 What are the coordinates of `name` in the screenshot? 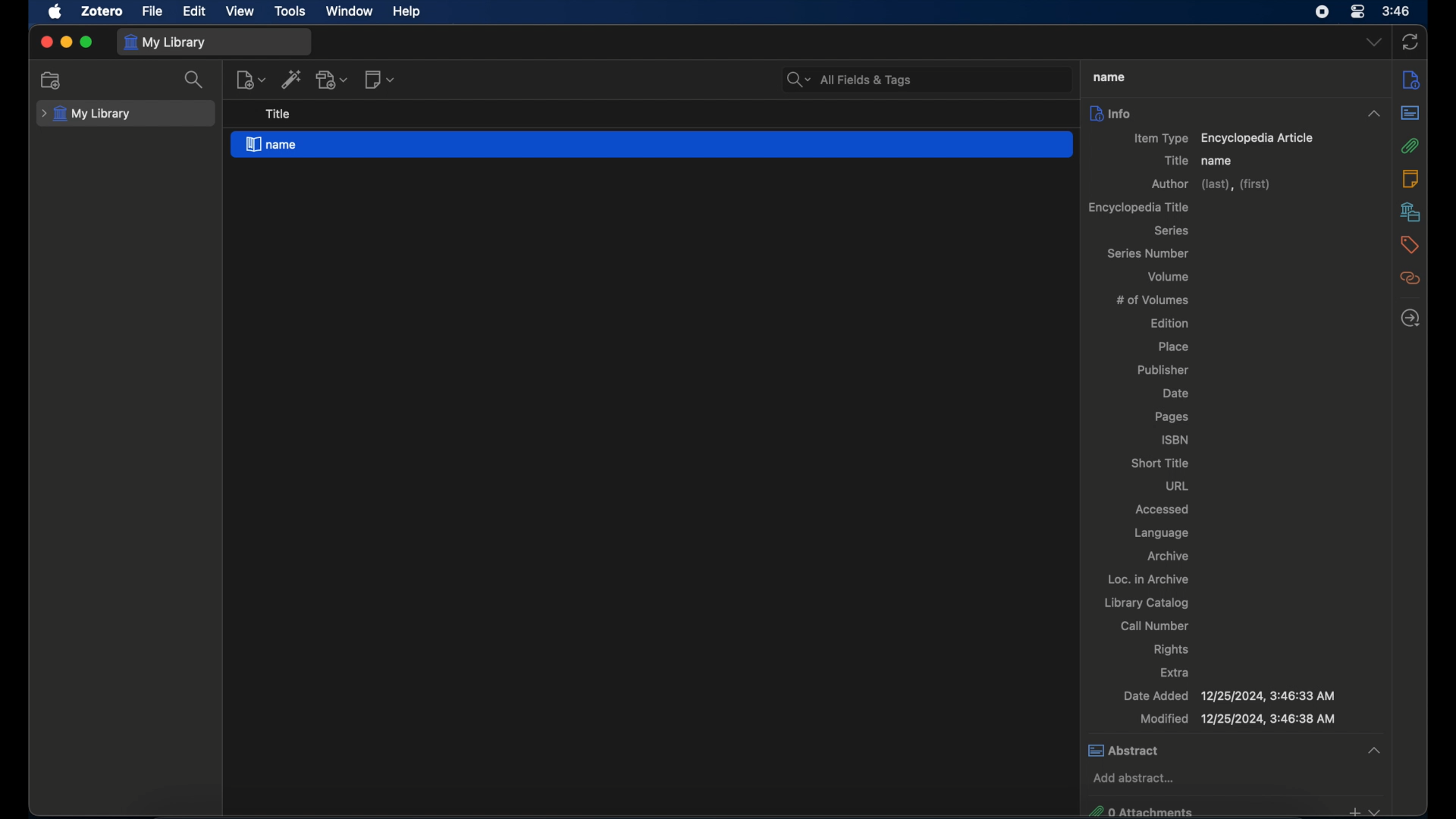 It's located at (652, 146).